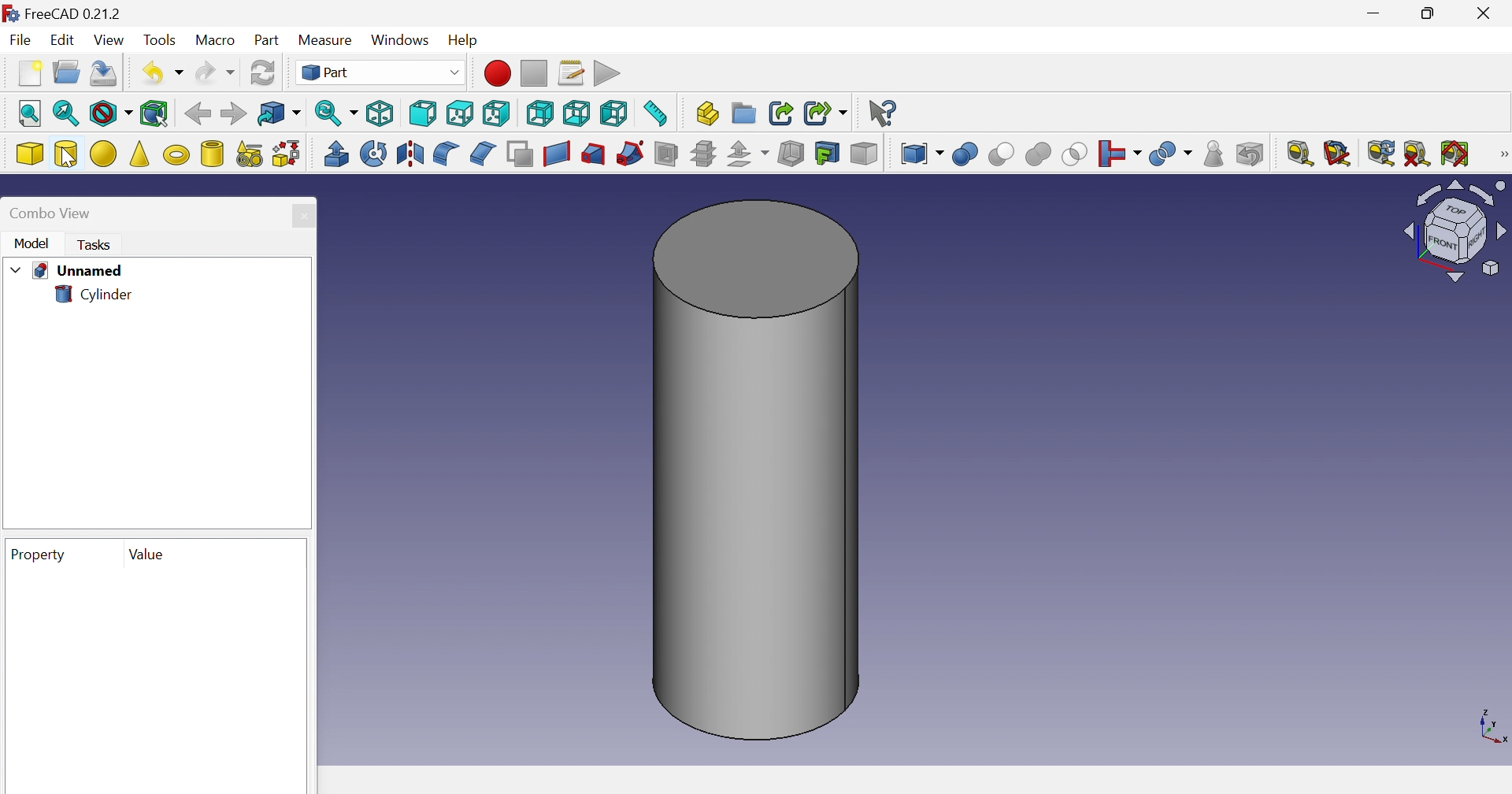  Describe the element at coordinates (472, 43) in the screenshot. I see `Help` at that location.